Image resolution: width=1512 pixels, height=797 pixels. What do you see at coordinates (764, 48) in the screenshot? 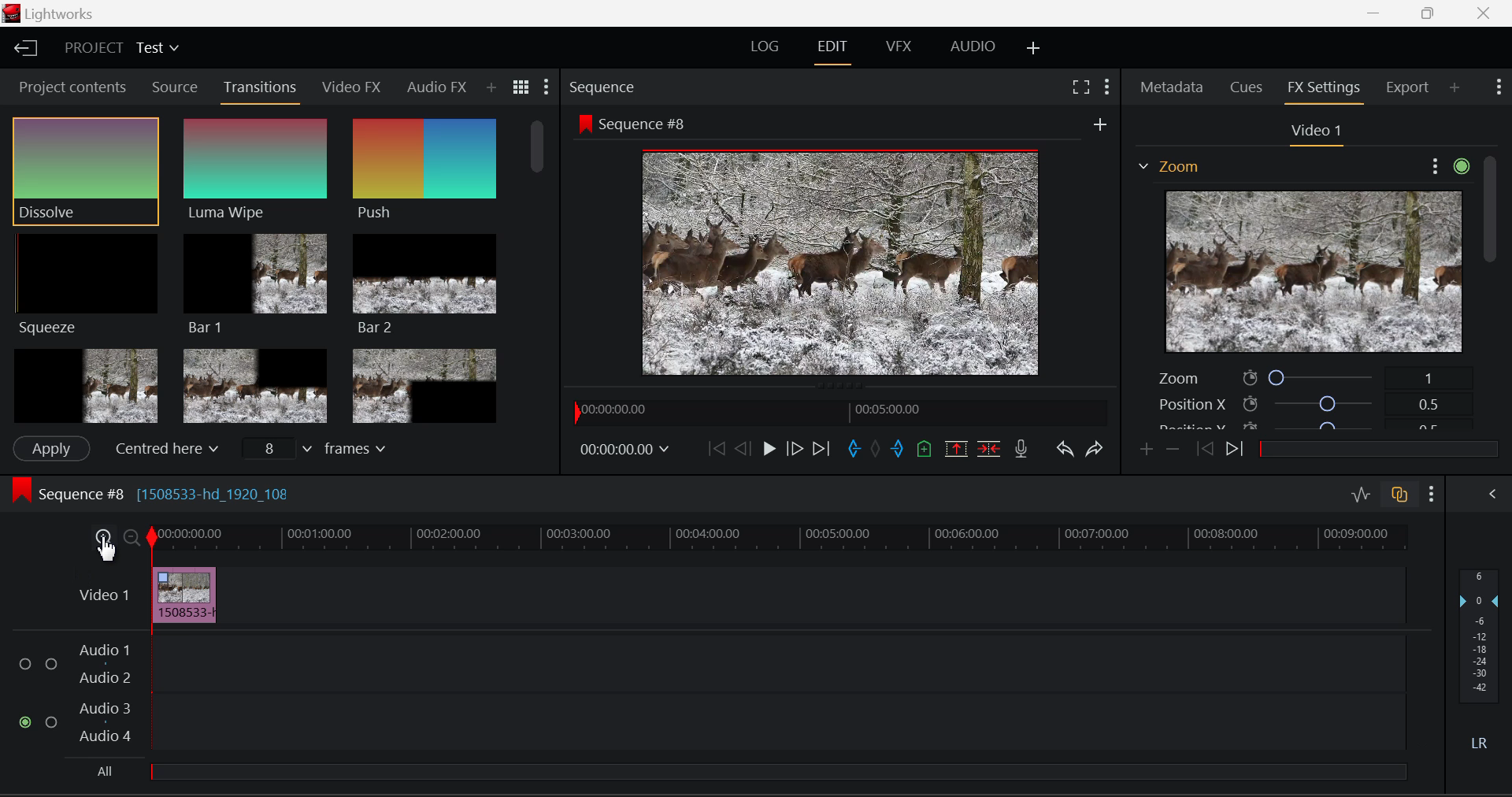
I see `LOG Layout` at bounding box center [764, 48].